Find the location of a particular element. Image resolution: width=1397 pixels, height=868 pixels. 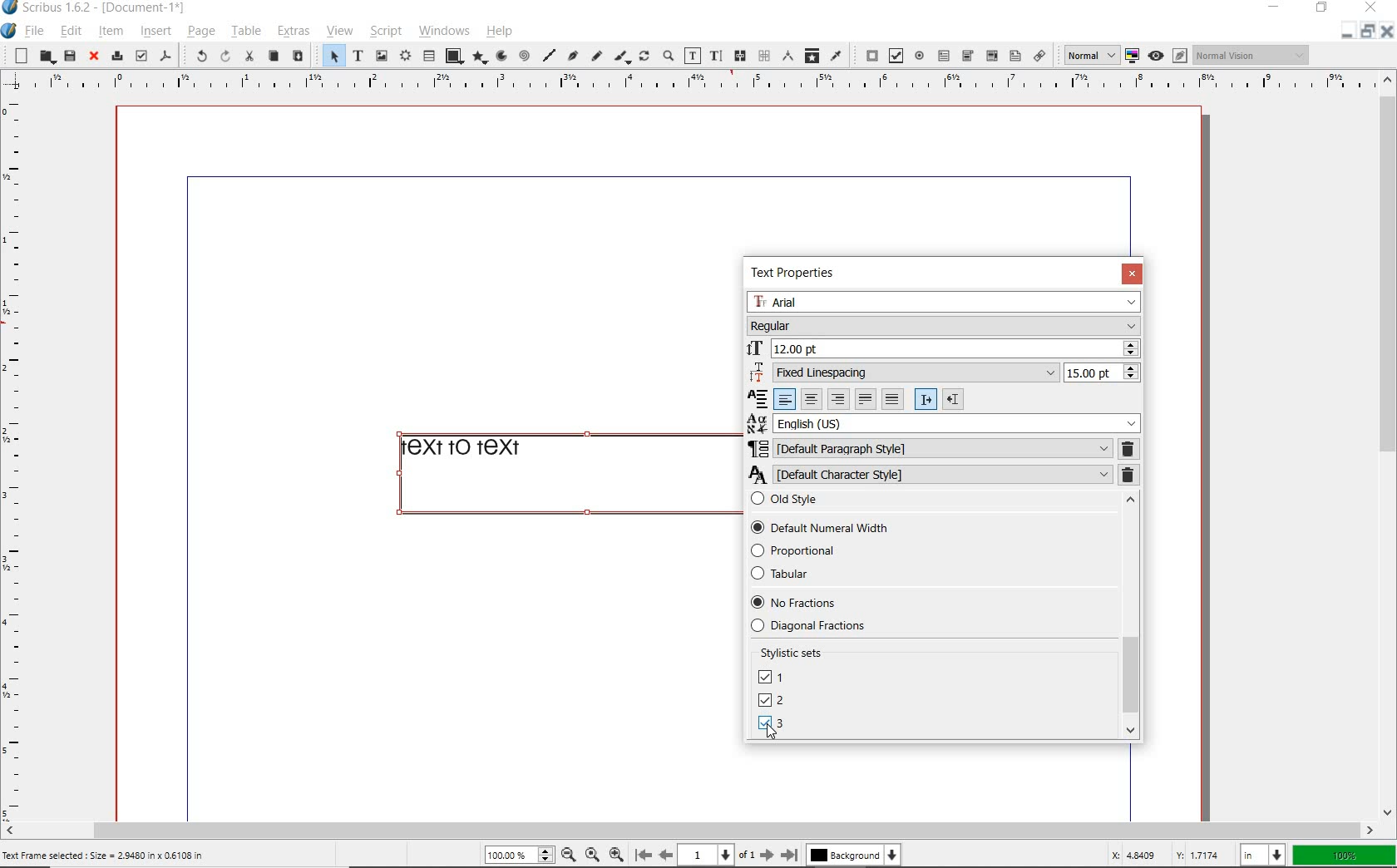

Old style is located at coordinates (930, 504).